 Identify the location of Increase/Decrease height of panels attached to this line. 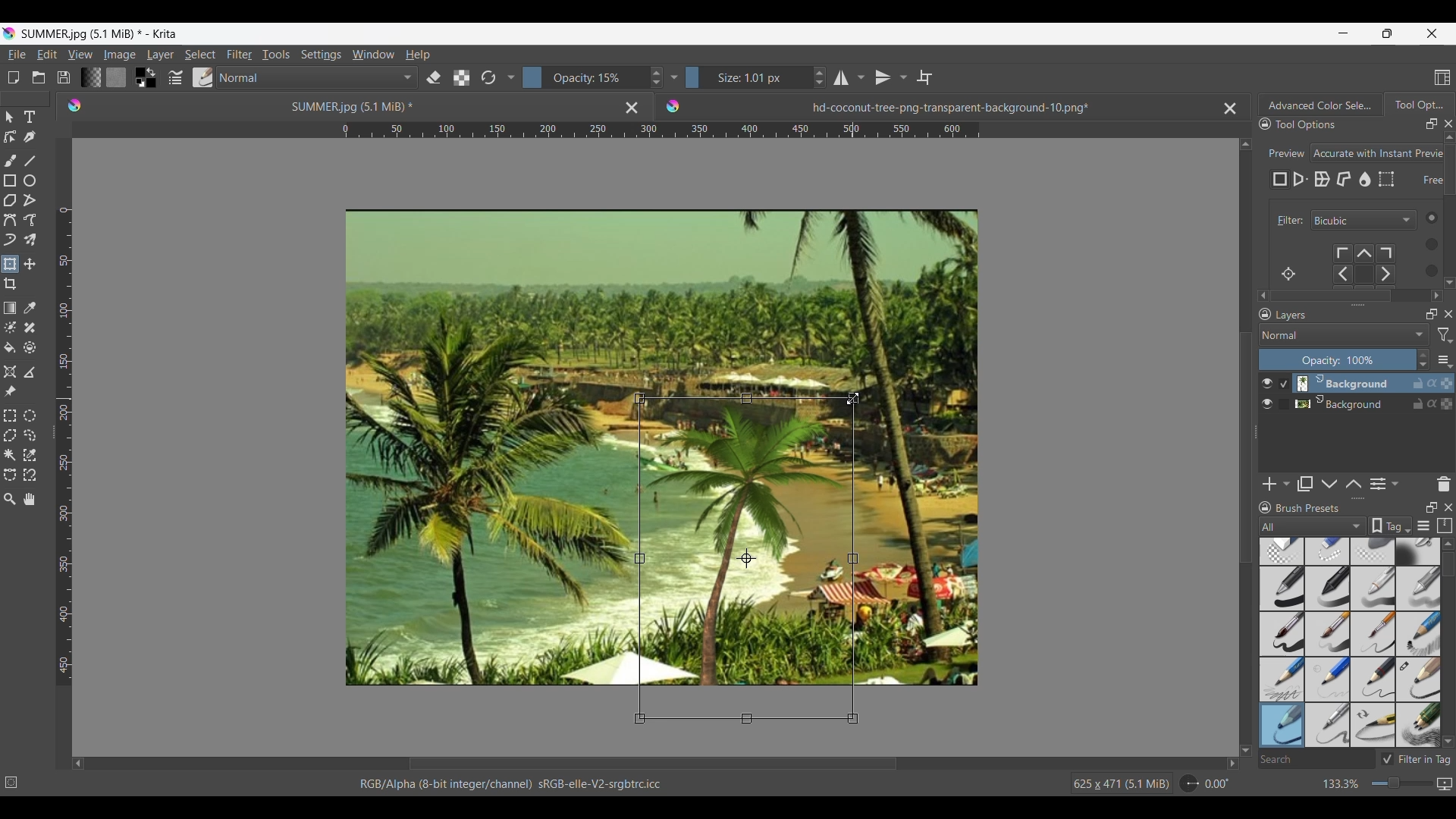
(1360, 498).